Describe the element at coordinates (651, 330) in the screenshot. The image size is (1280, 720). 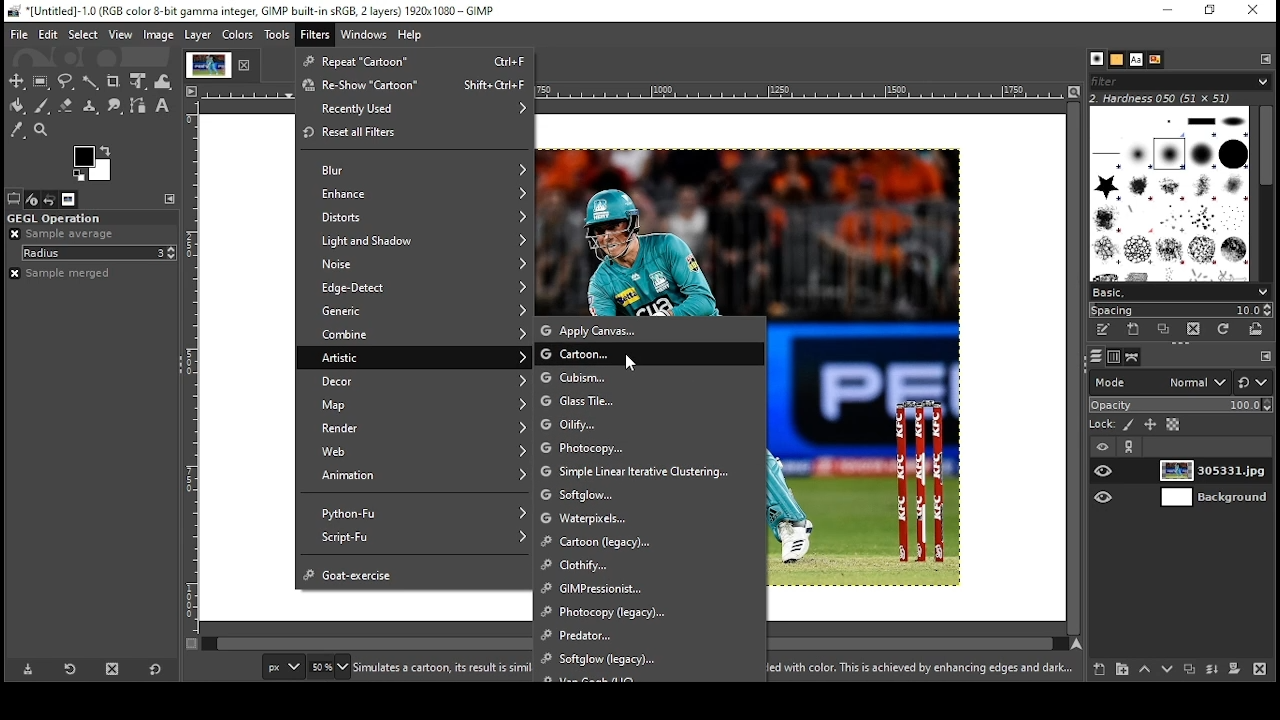
I see `apply canvas` at that location.